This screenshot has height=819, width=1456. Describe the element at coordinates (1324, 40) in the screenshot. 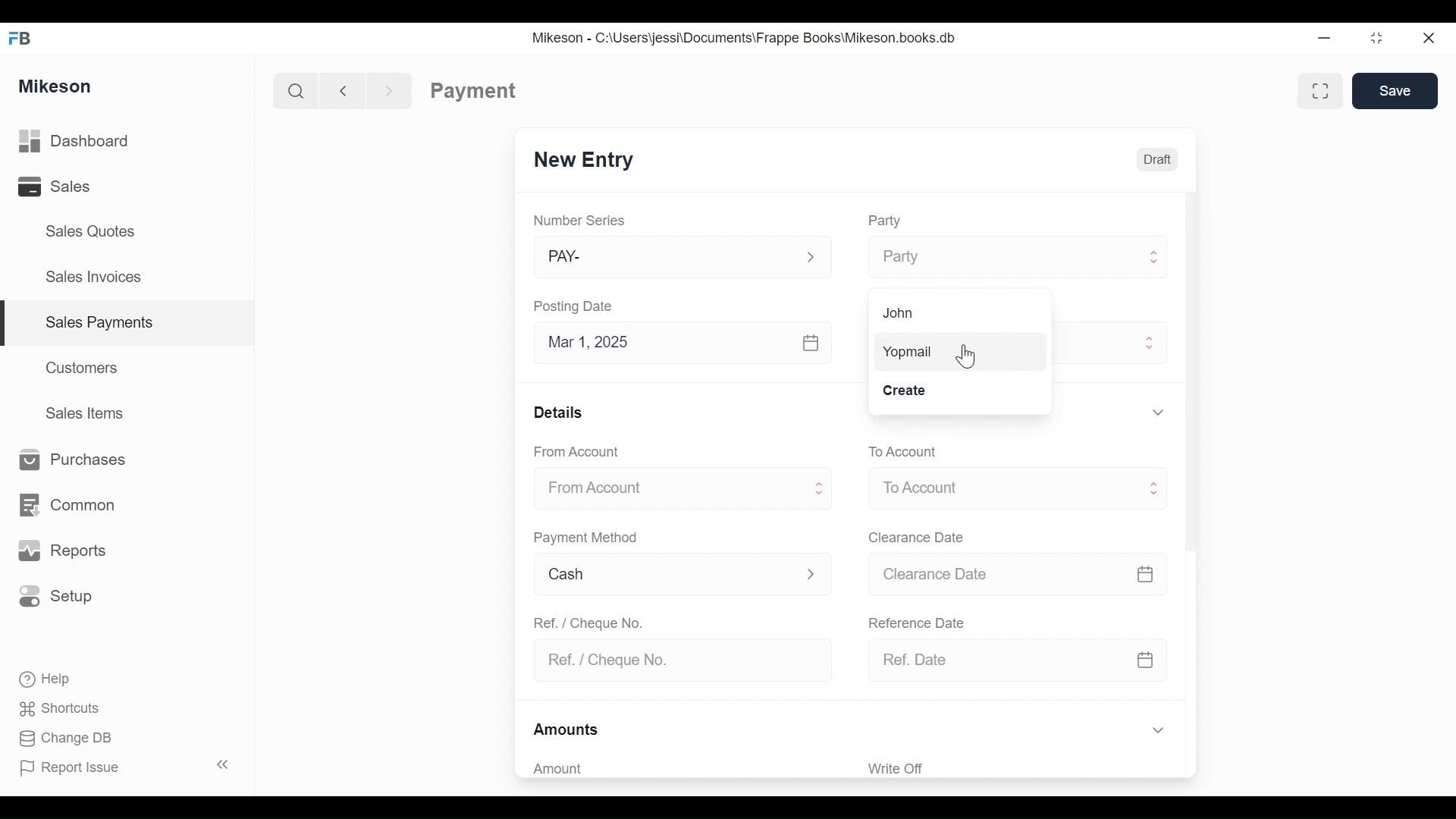

I see `Minimize` at that location.